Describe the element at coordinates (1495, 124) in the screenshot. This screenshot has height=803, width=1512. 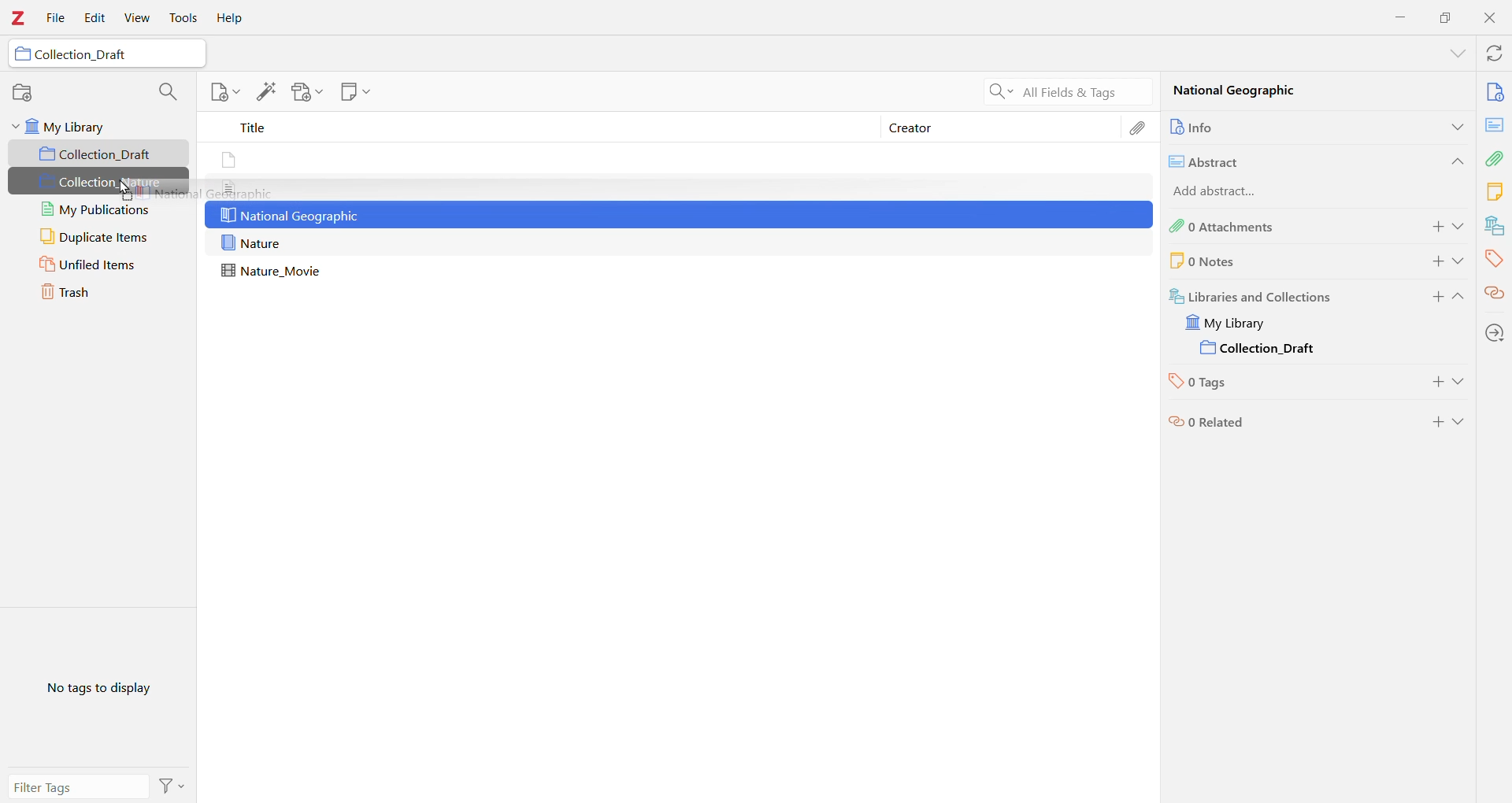
I see `Abstract` at that location.